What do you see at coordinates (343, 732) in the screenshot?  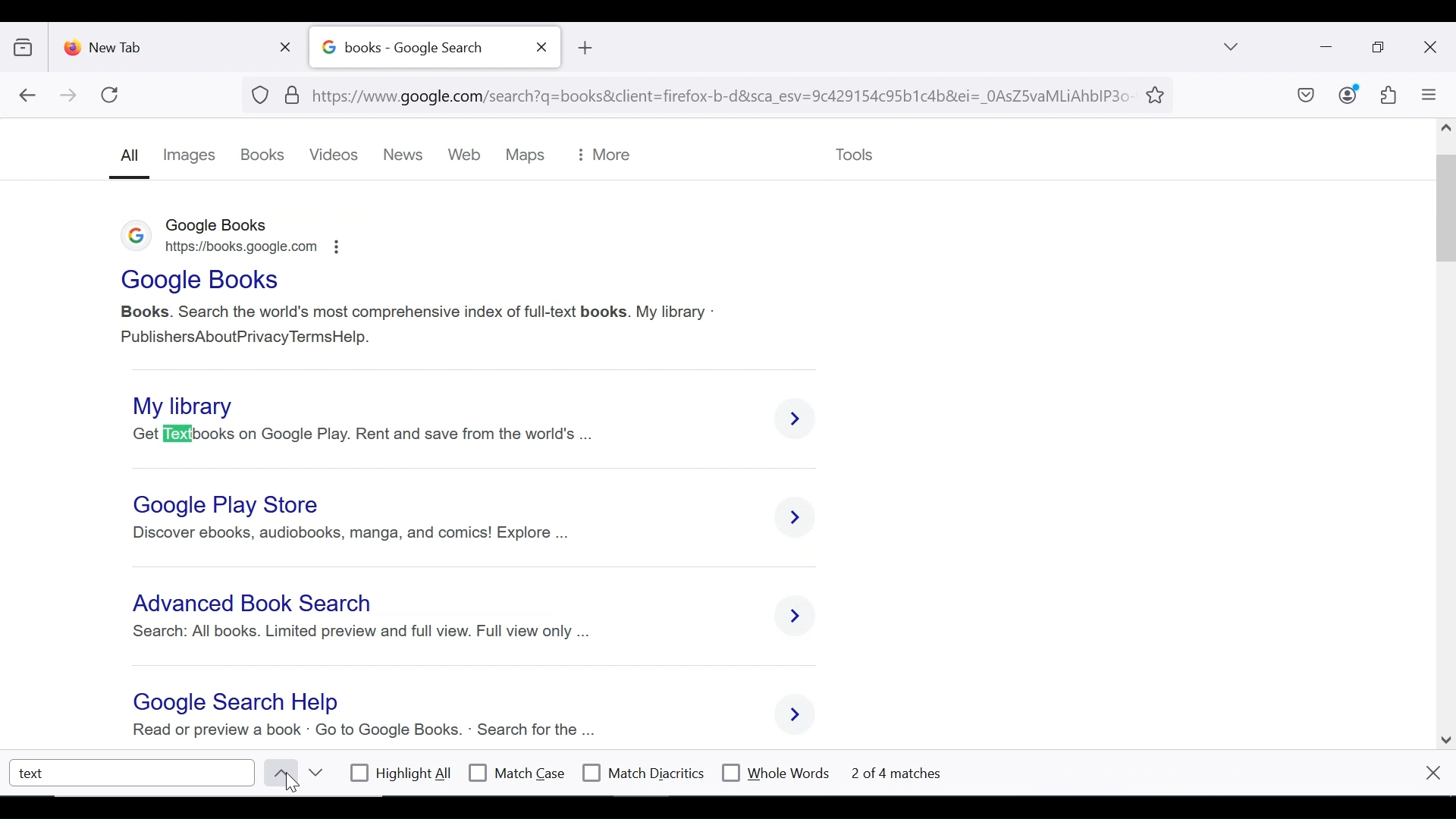 I see `read or preview a book. go to google books. search for` at bounding box center [343, 732].